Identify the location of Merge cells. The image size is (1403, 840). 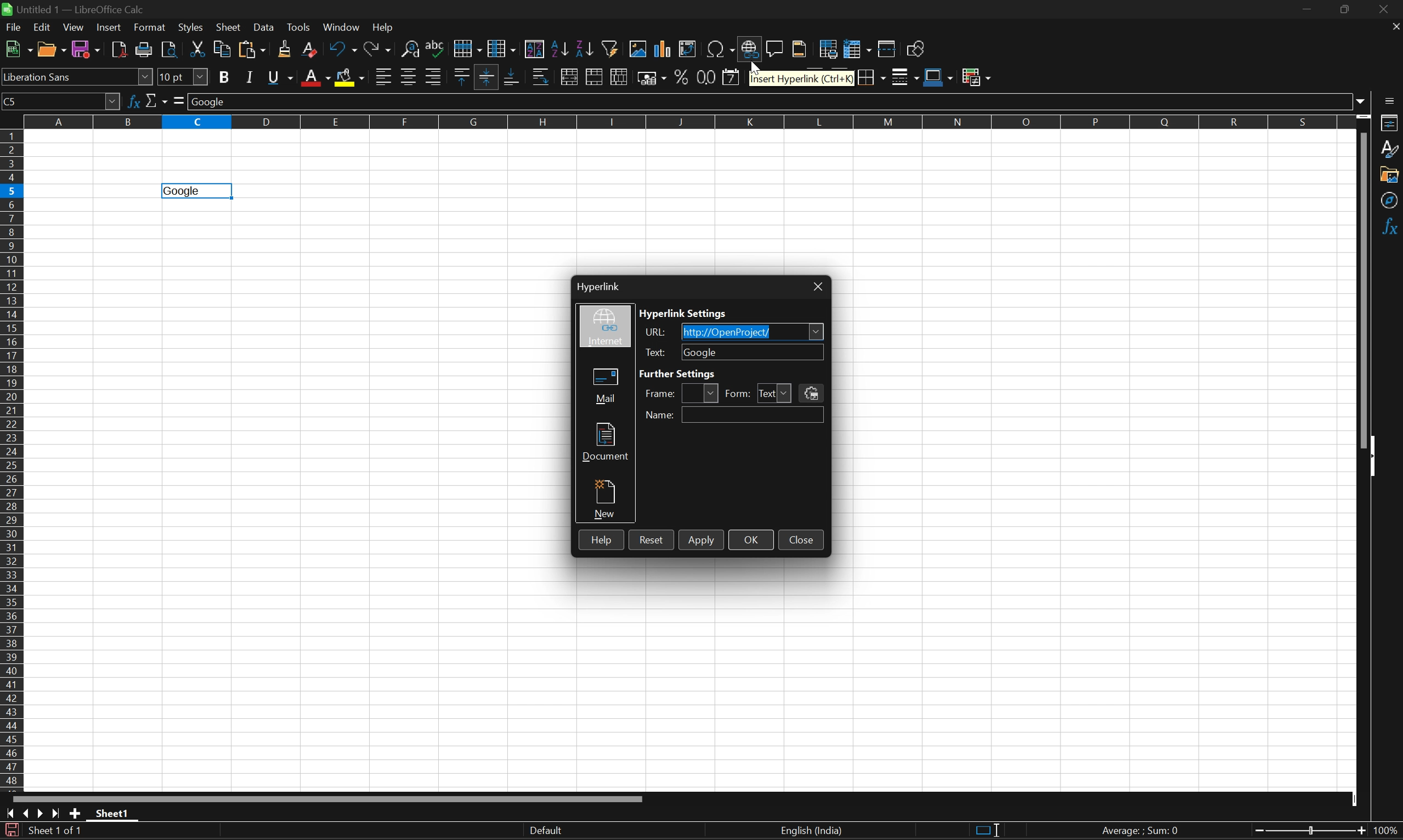
(596, 78).